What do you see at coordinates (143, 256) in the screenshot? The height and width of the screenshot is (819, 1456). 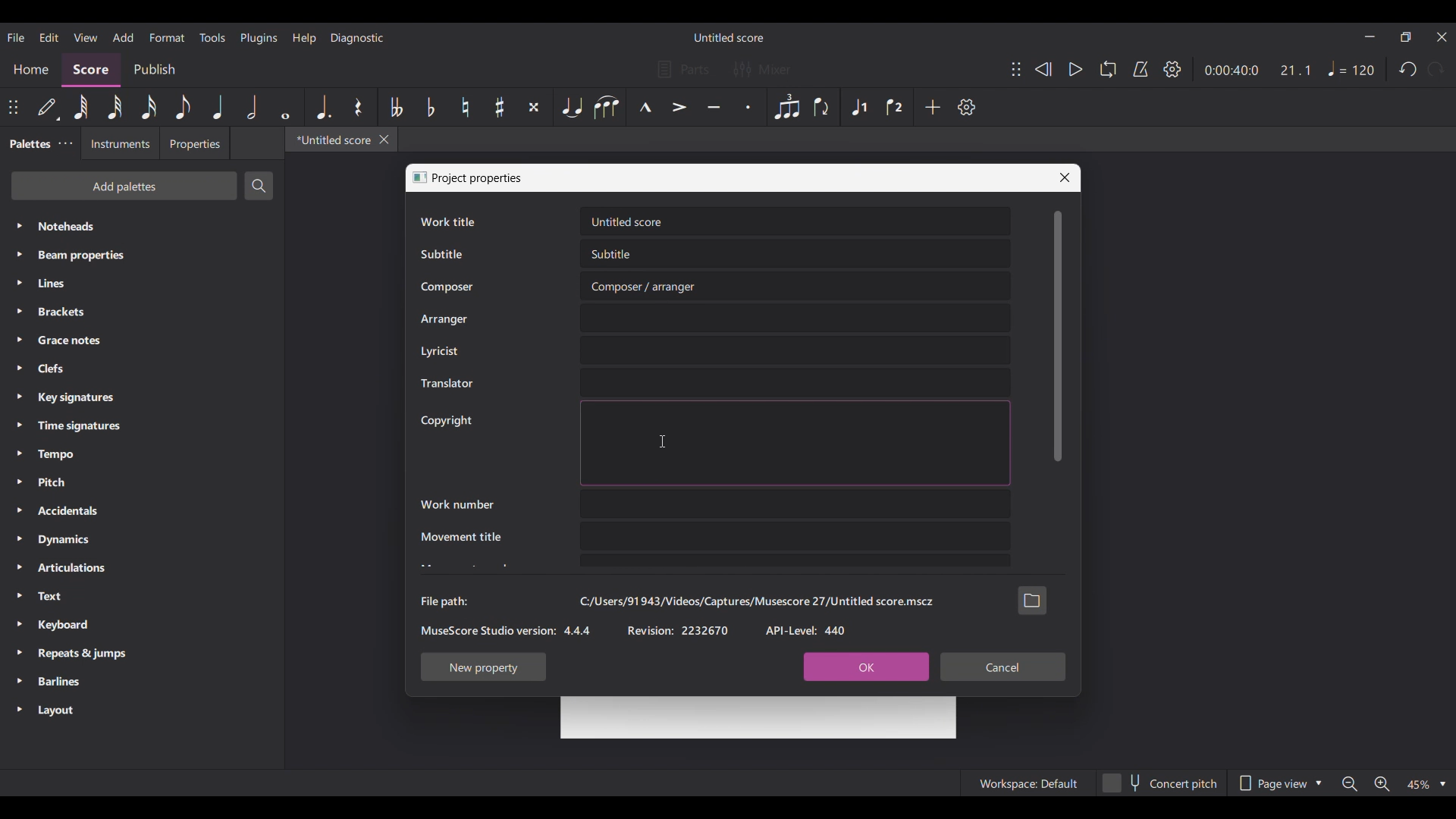 I see `Beam properties` at bounding box center [143, 256].